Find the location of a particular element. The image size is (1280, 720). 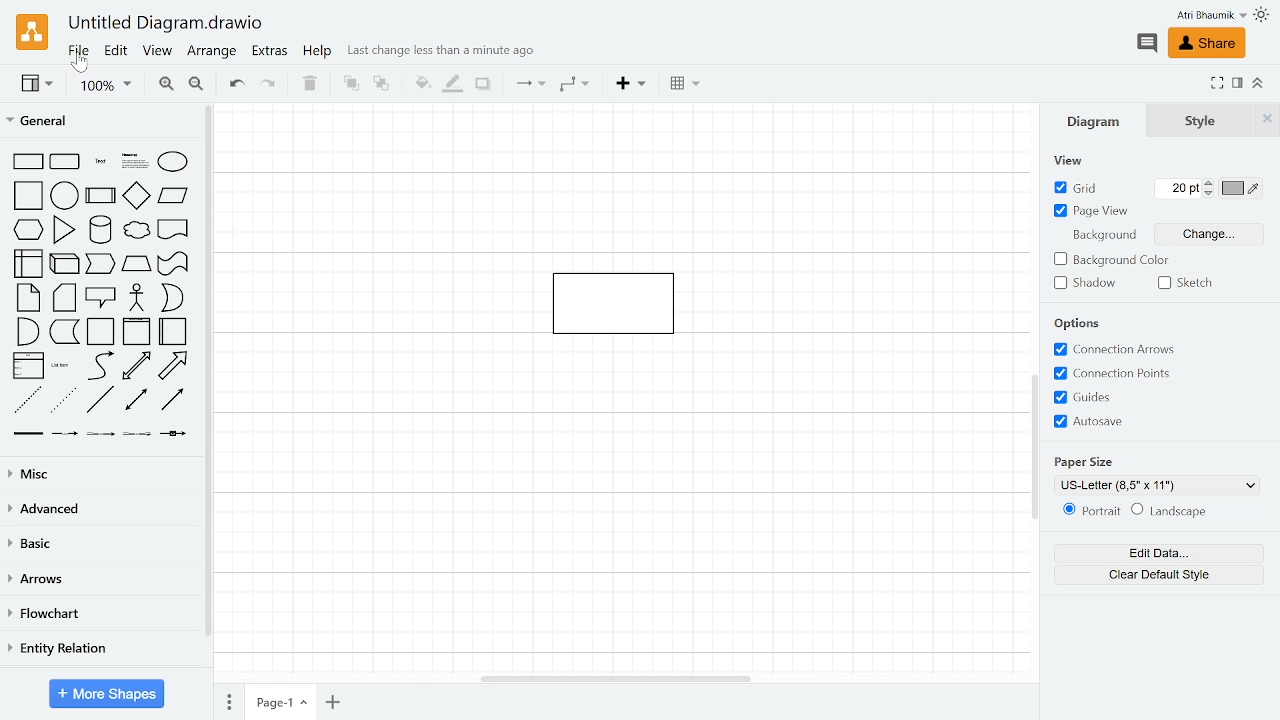

Undo is located at coordinates (236, 86).